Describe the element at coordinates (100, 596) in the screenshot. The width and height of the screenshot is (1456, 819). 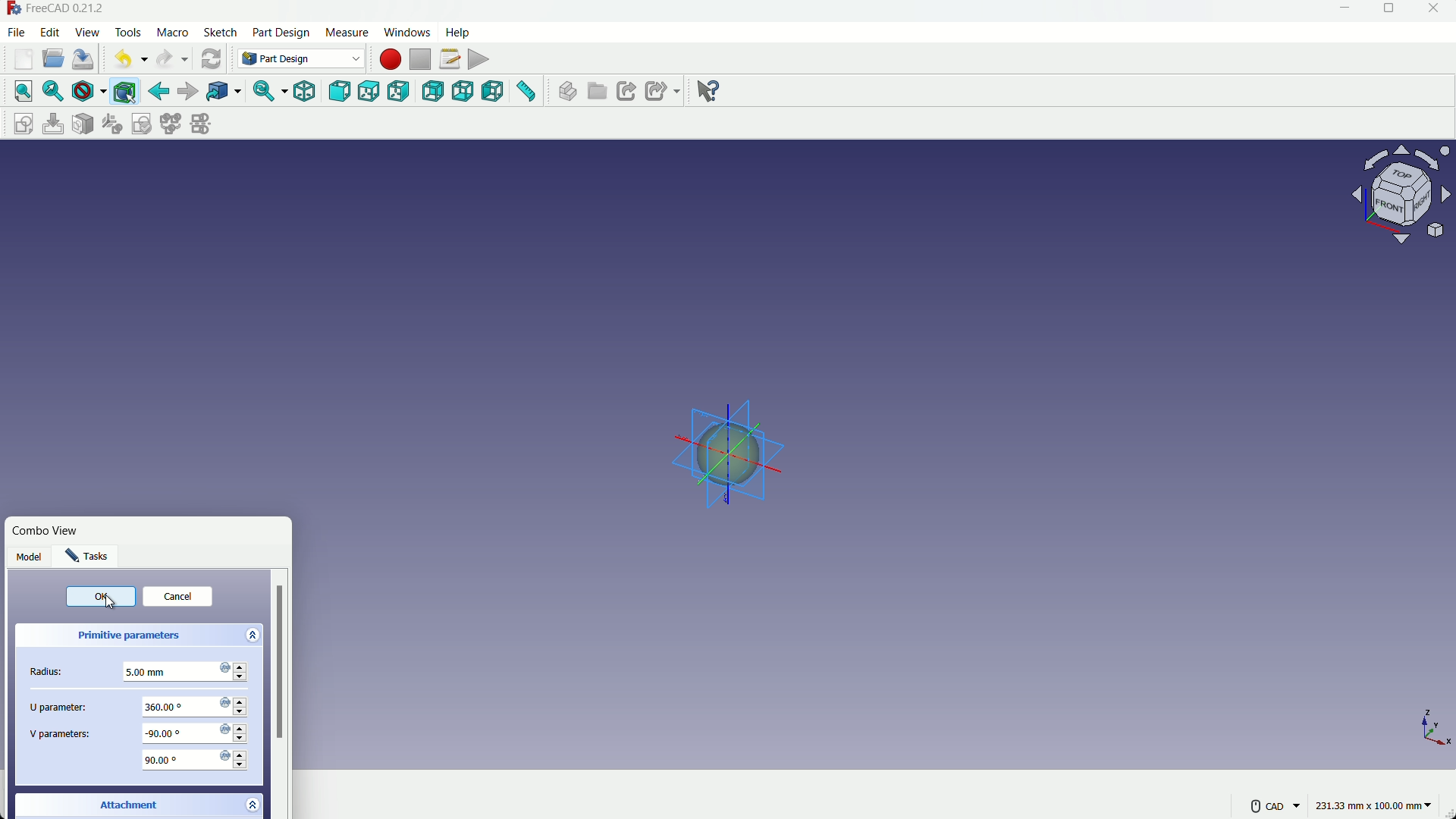
I see `ok button` at that location.